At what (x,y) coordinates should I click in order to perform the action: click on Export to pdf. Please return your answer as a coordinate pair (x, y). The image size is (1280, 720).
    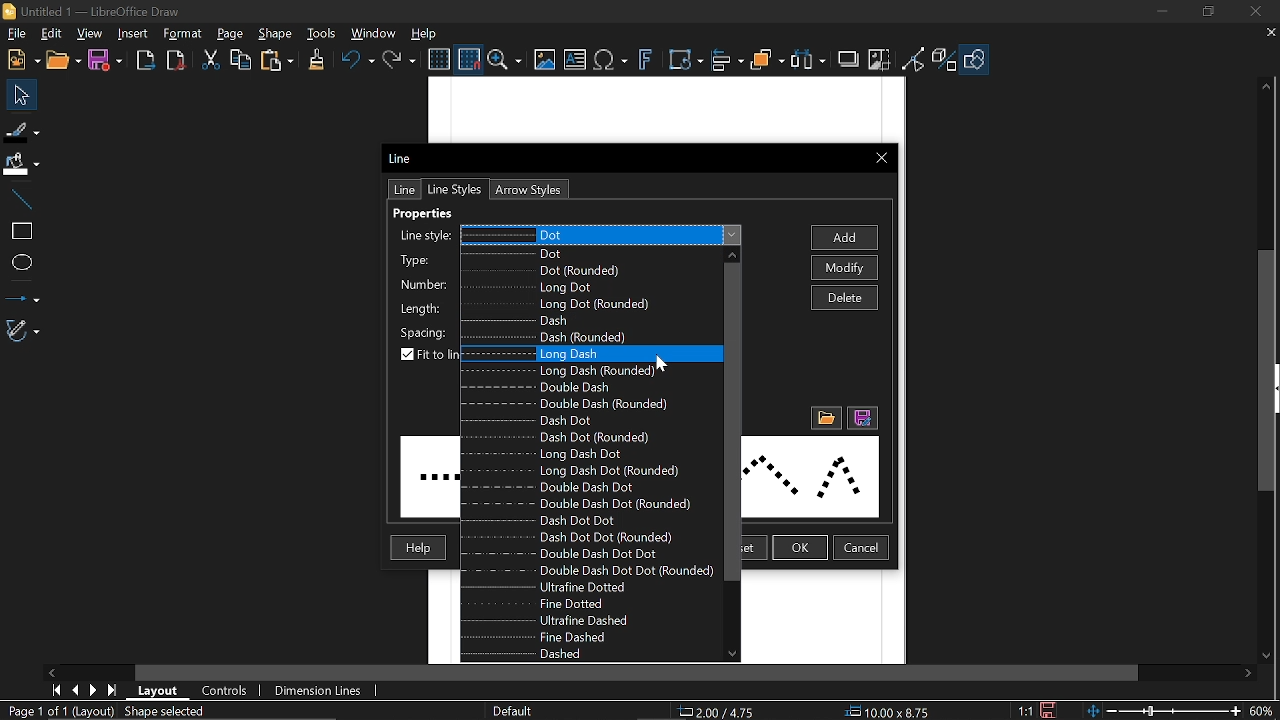
    Looking at the image, I should click on (176, 60).